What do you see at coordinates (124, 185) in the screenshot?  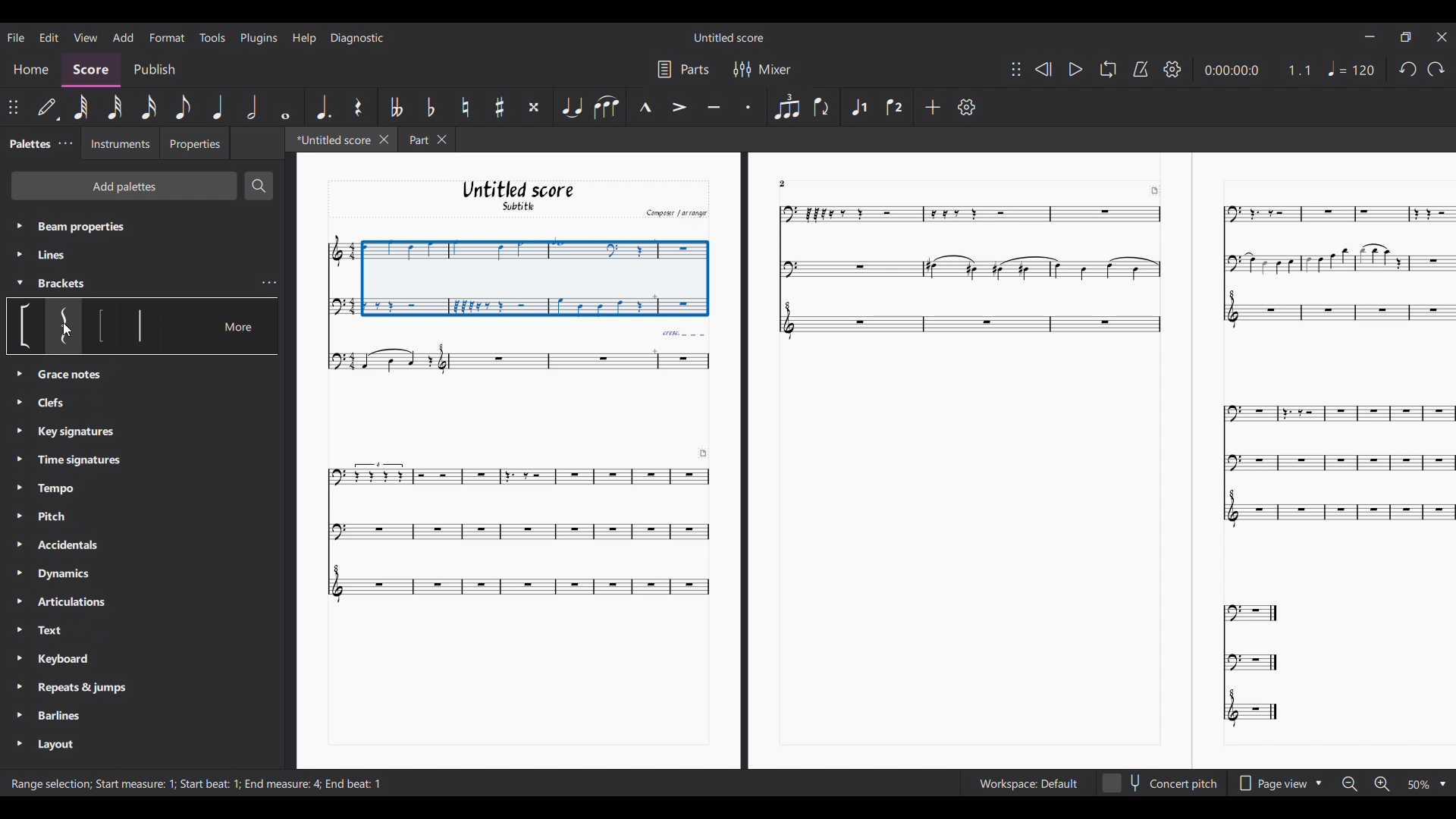 I see `Add palette` at bounding box center [124, 185].